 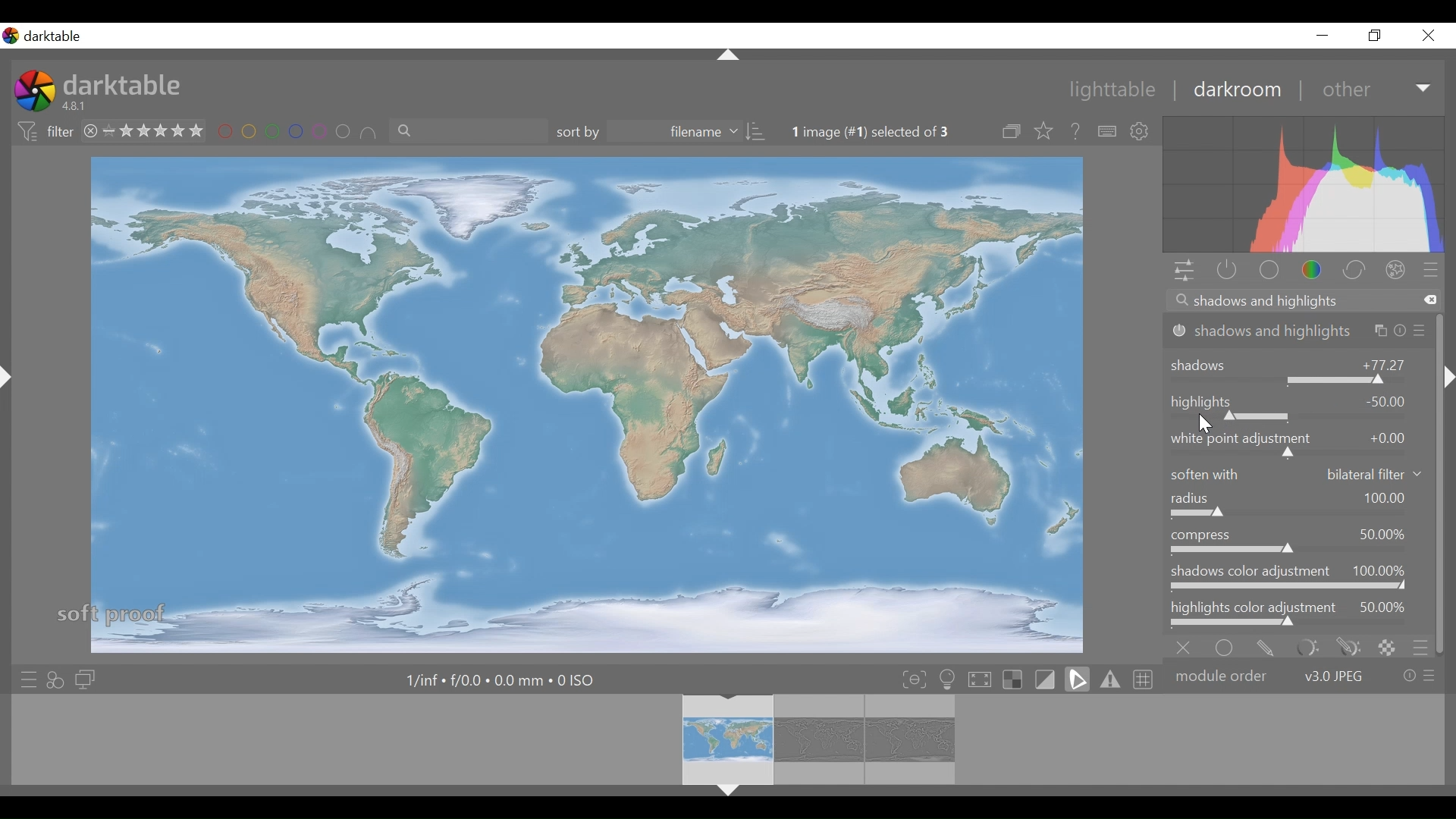 What do you see at coordinates (502, 679) in the screenshot?
I see `Maximum Exposure` at bounding box center [502, 679].